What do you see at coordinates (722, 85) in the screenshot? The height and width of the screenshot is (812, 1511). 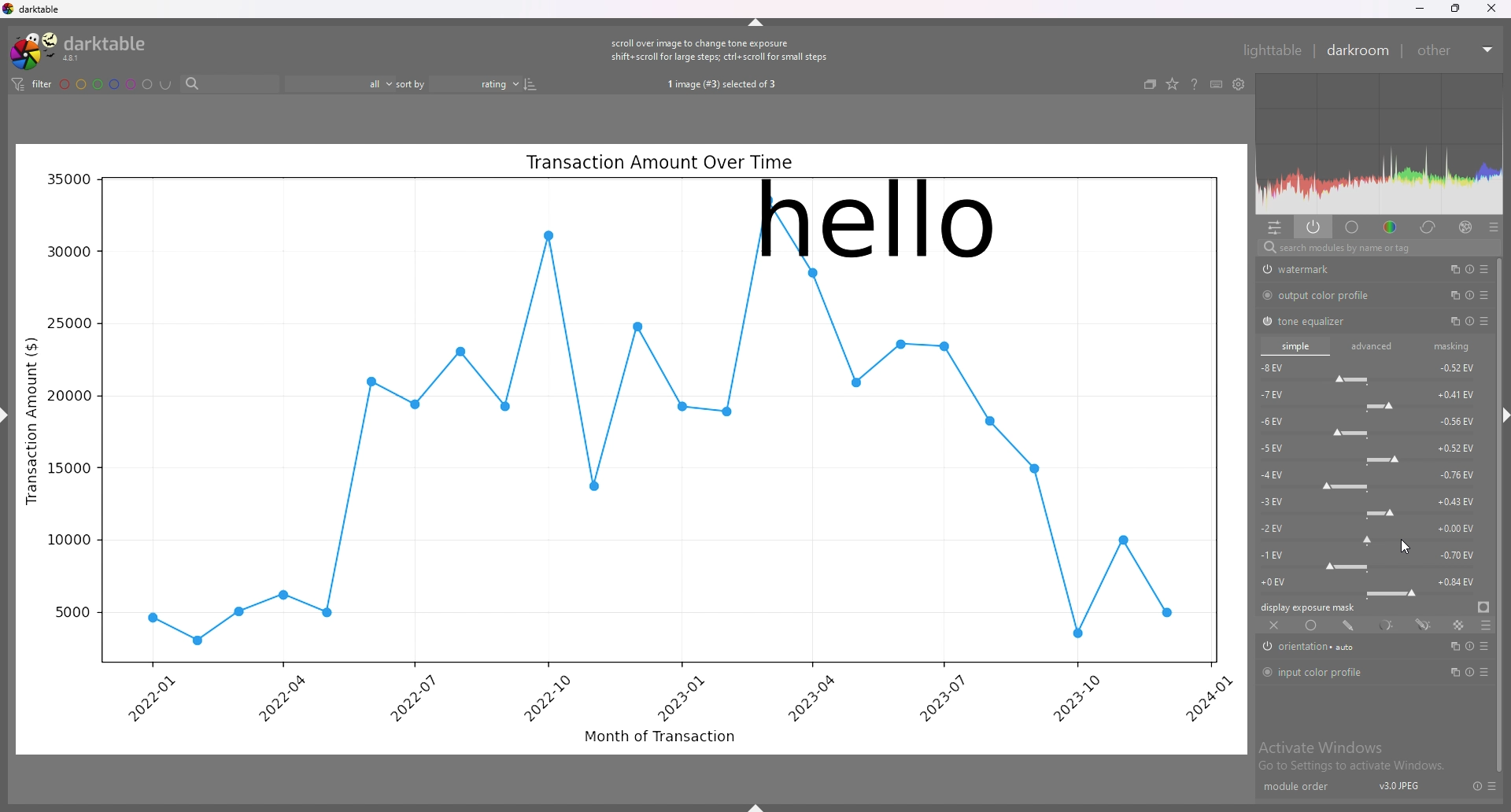 I see `1 image (#3) selected of 3` at bounding box center [722, 85].